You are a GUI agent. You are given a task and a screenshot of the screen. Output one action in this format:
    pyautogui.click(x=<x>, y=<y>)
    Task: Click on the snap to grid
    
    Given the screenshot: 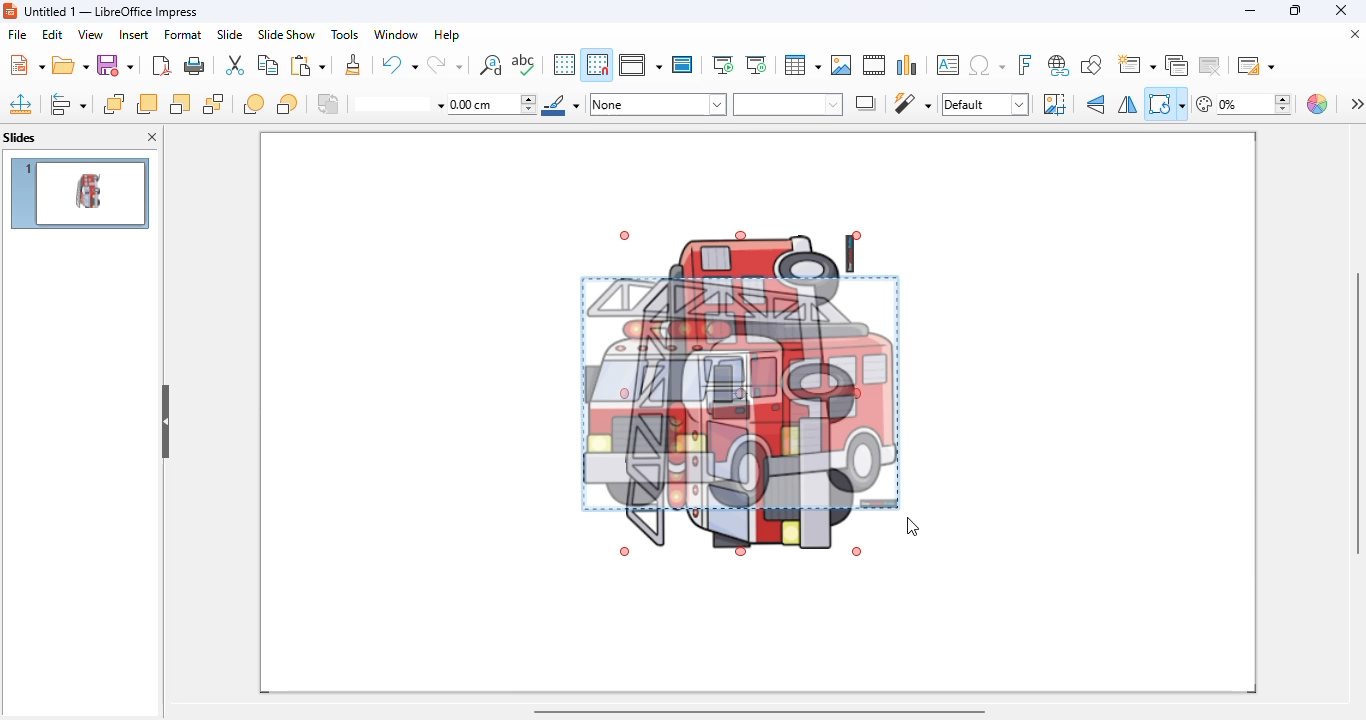 What is the action you would take?
    pyautogui.click(x=598, y=64)
    